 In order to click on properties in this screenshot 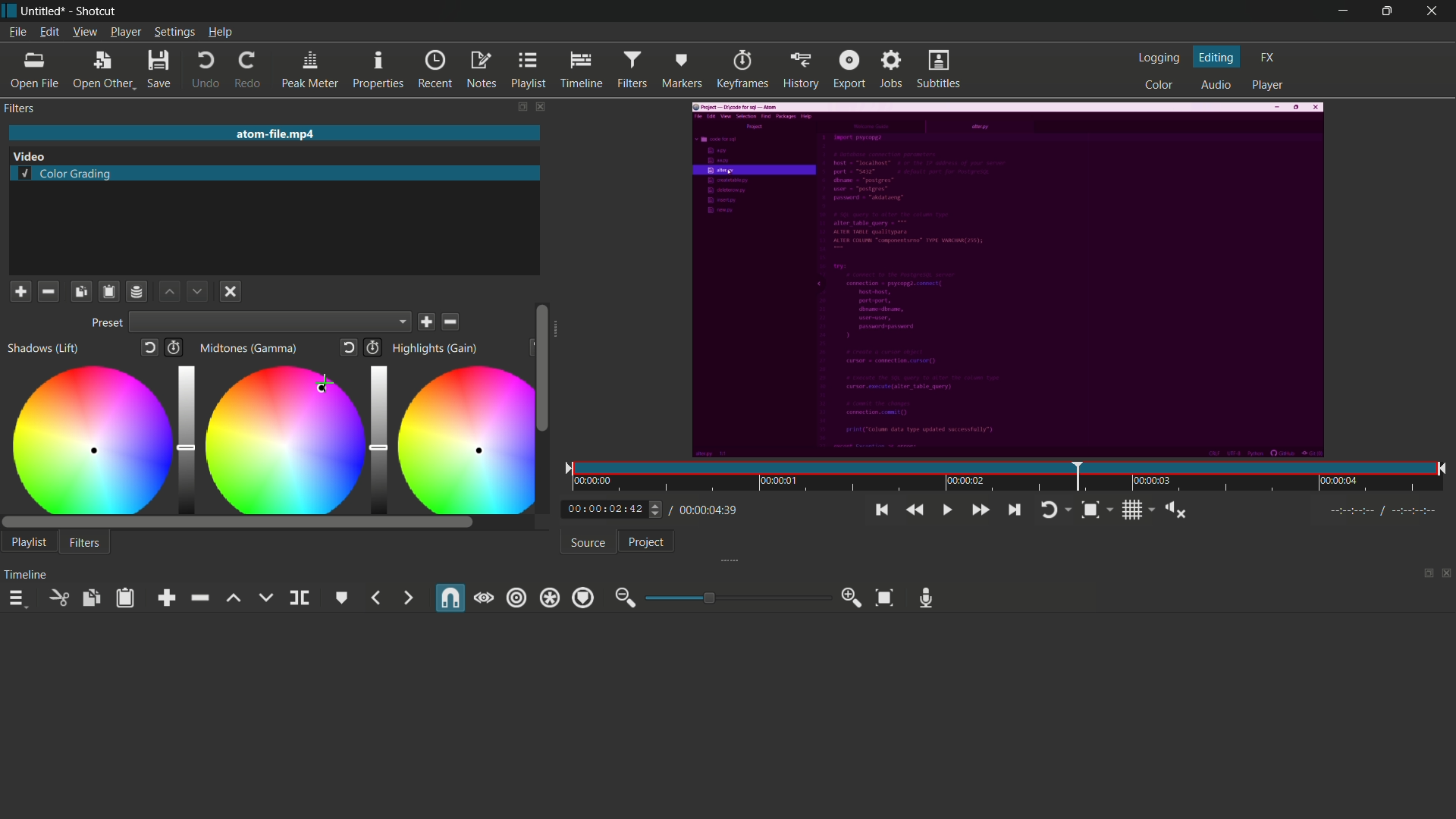, I will do `click(377, 71)`.